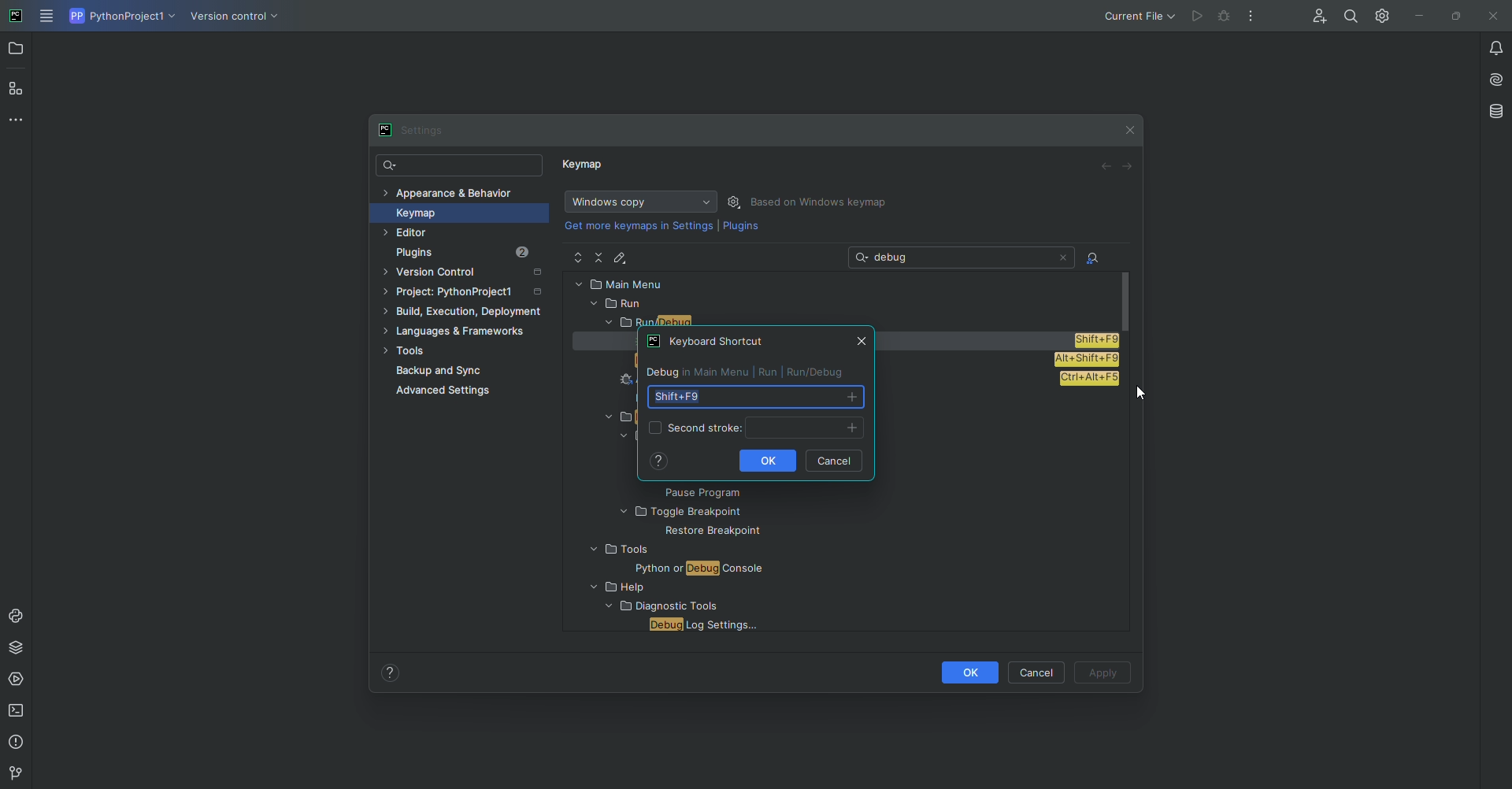 This screenshot has width=1512, height=789. Describe the element at coordinates (753, 427) in the screenshot. I see `Second stroke` at that location.